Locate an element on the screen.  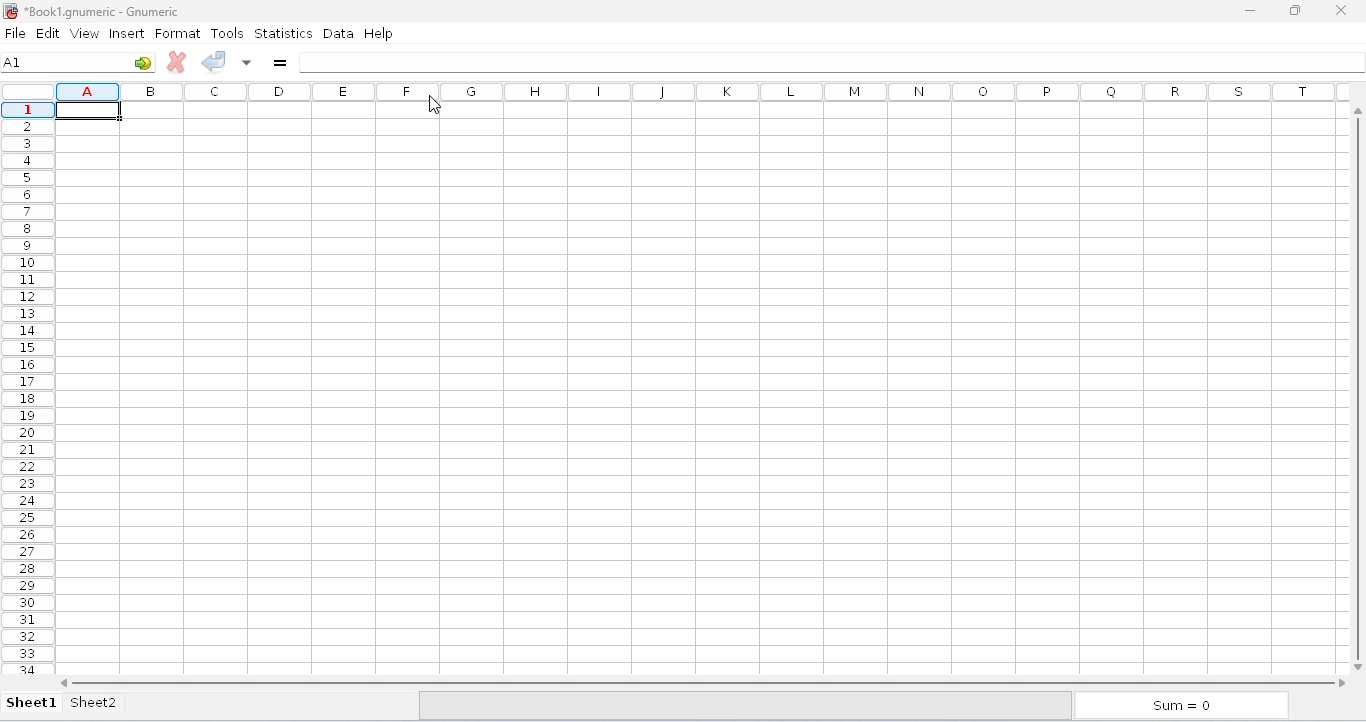
maximize is located at coordinates (1294, 10).